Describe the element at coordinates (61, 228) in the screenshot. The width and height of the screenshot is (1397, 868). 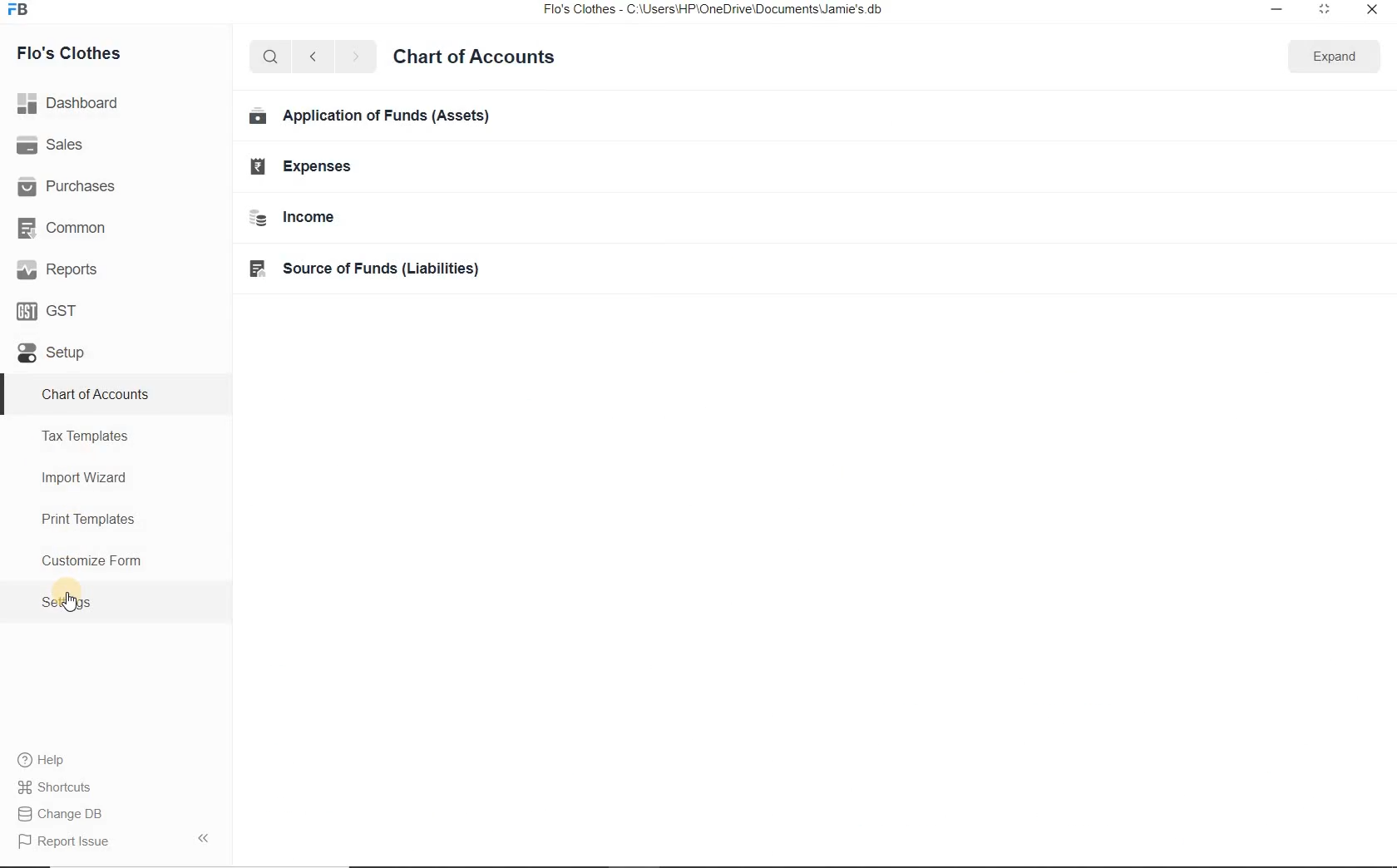
I see `Common` at that location.